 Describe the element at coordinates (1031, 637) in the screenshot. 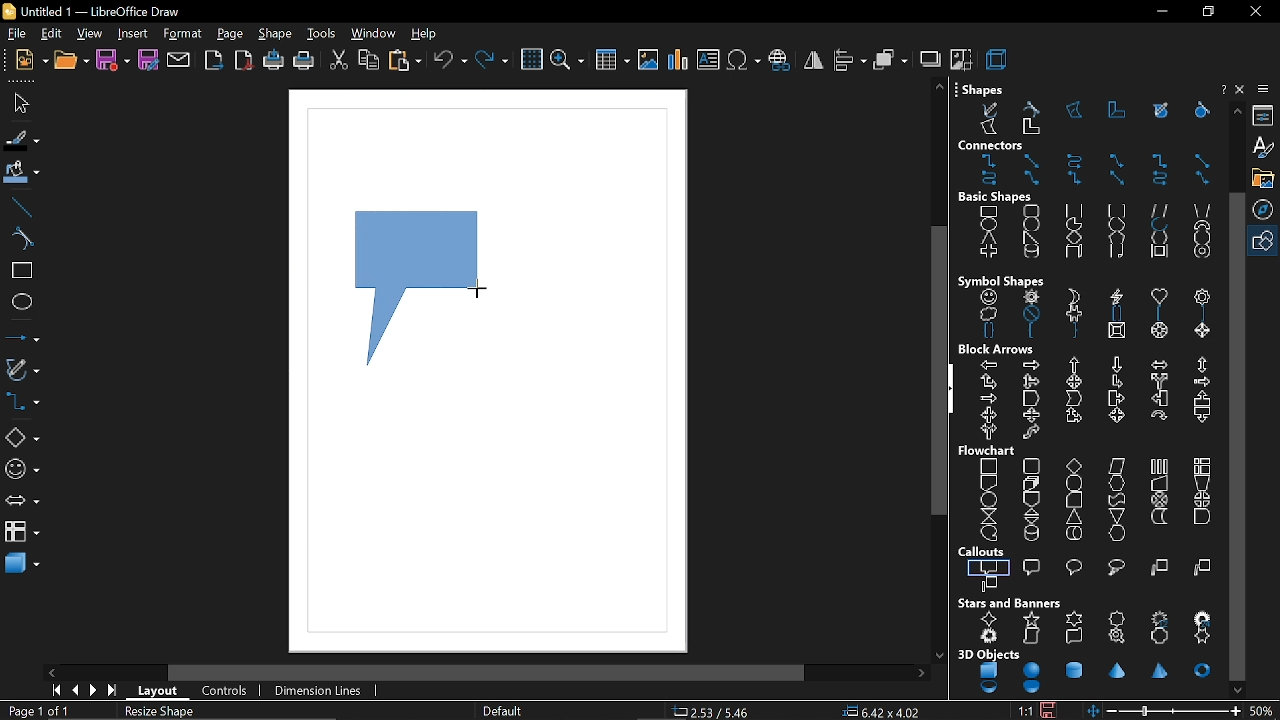

I see `vertical scroll` at that location.